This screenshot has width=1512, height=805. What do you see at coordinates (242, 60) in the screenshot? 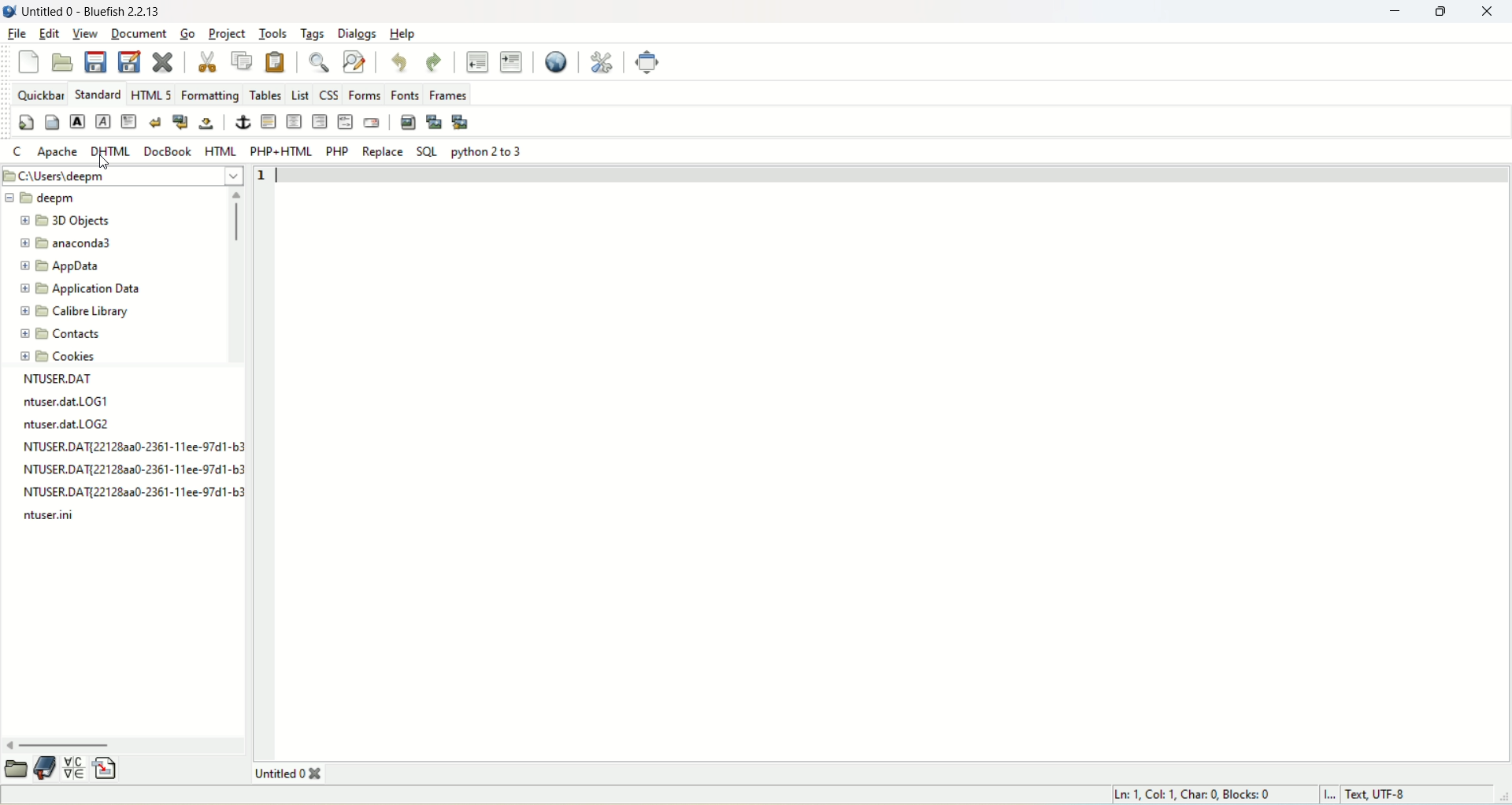
I see `copy` at bounding box center [242, 60].